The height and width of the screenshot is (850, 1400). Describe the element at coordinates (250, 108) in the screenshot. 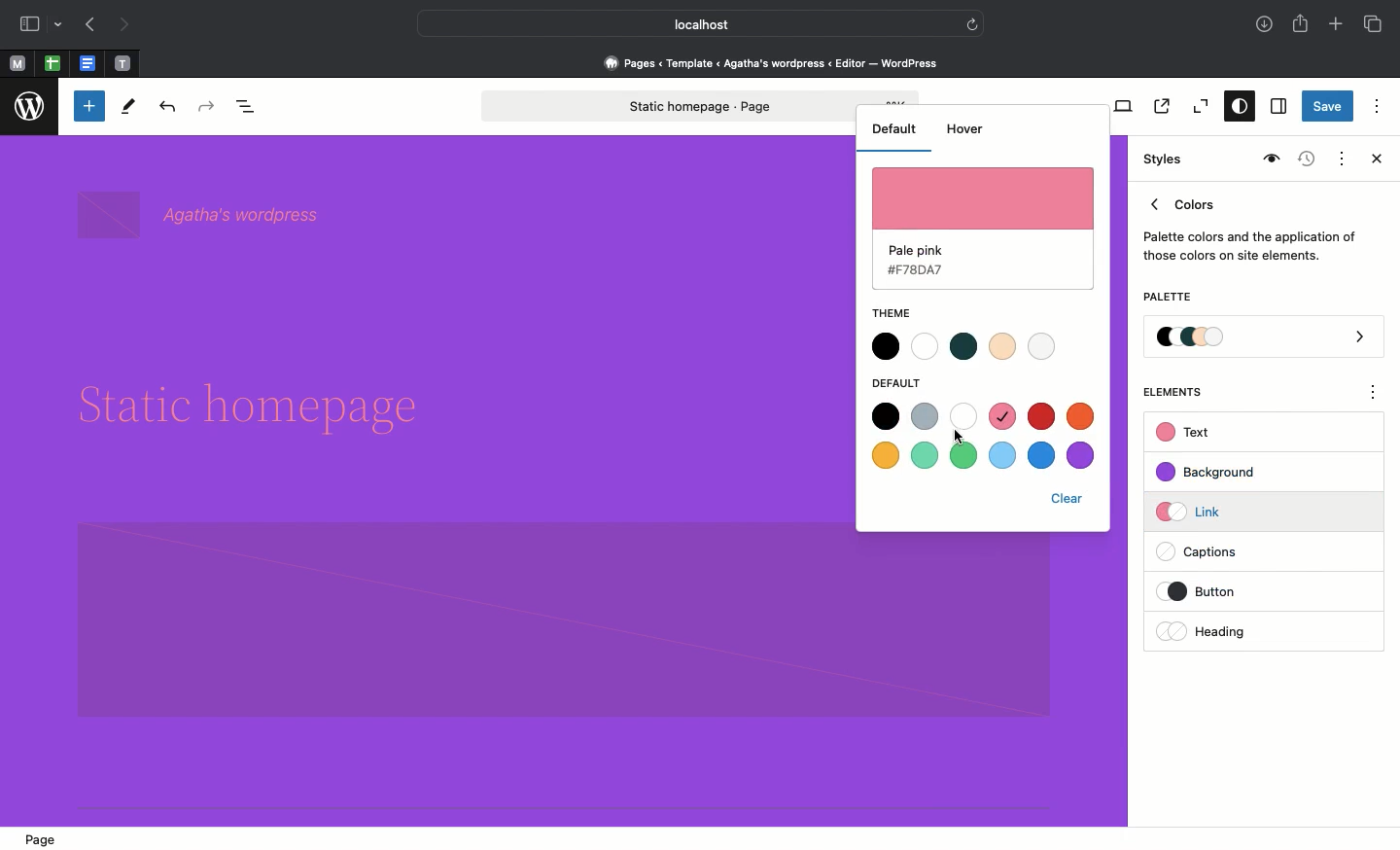

I see `Document overview` at that location.